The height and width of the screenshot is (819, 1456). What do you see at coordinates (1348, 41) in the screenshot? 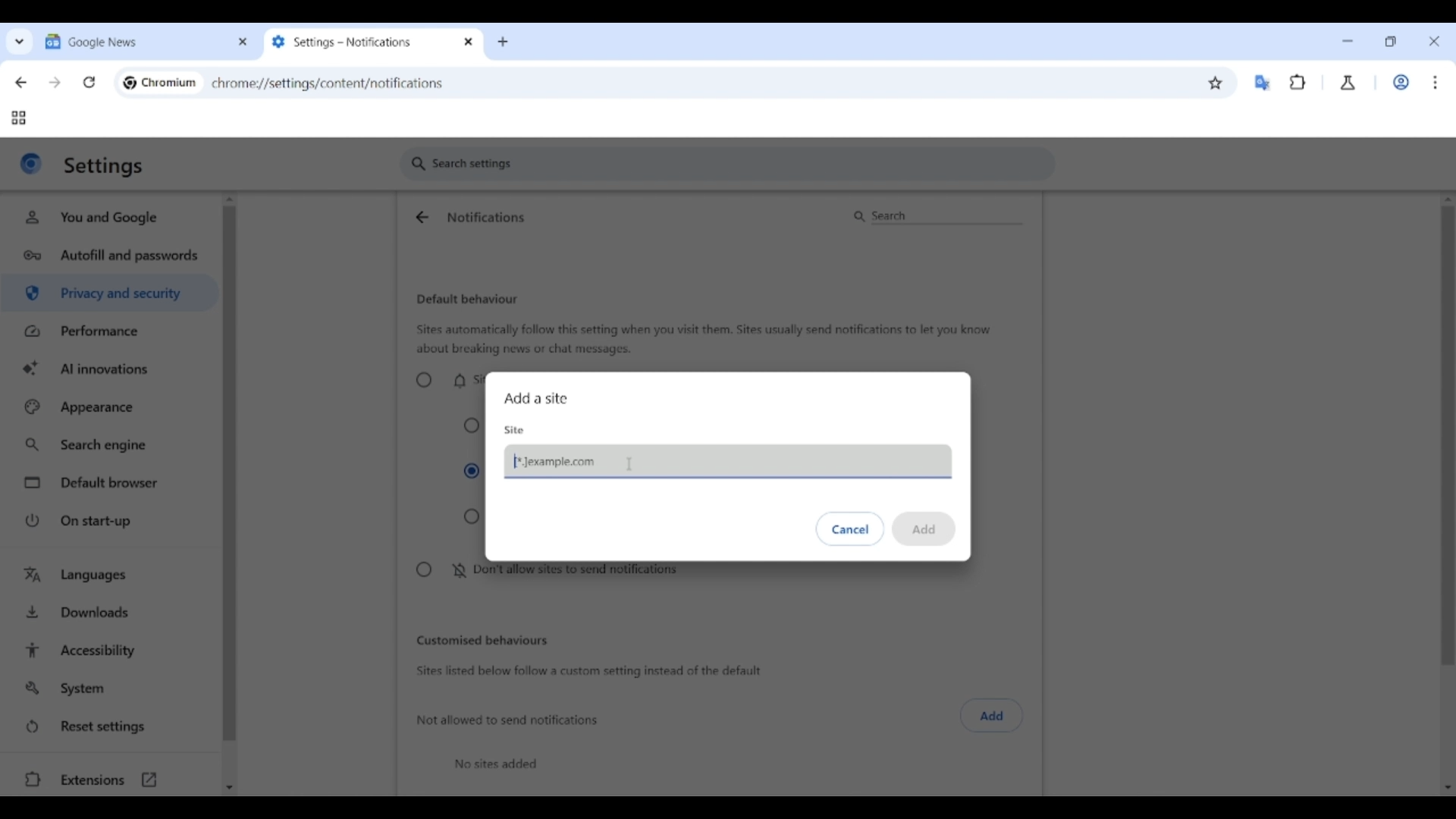
I see `Minimize` at bounding box center [1348, 41].